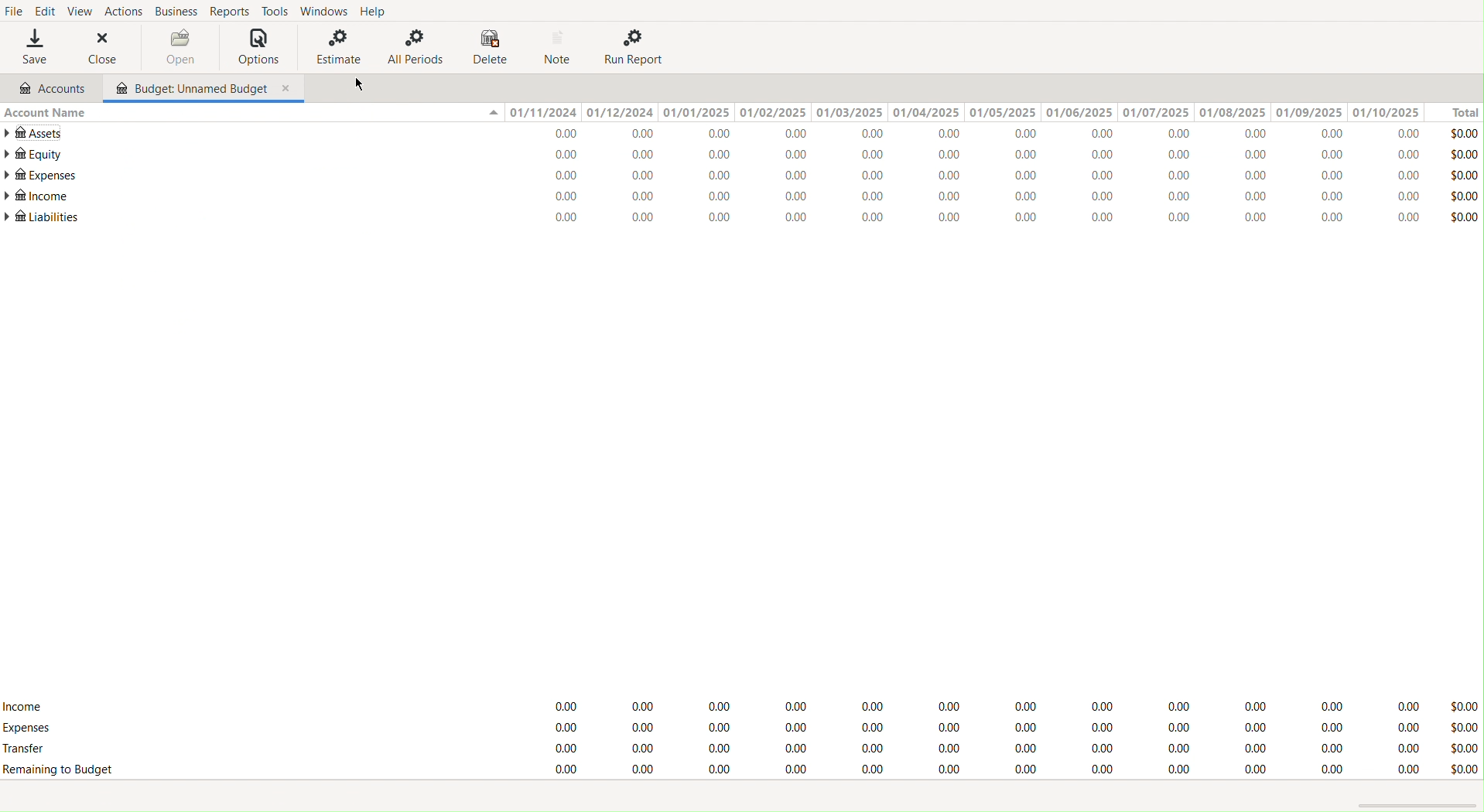 The width and height of the screenshot is (1484, 812). I want to click on Remaining Budget Values, so click(980, 770).